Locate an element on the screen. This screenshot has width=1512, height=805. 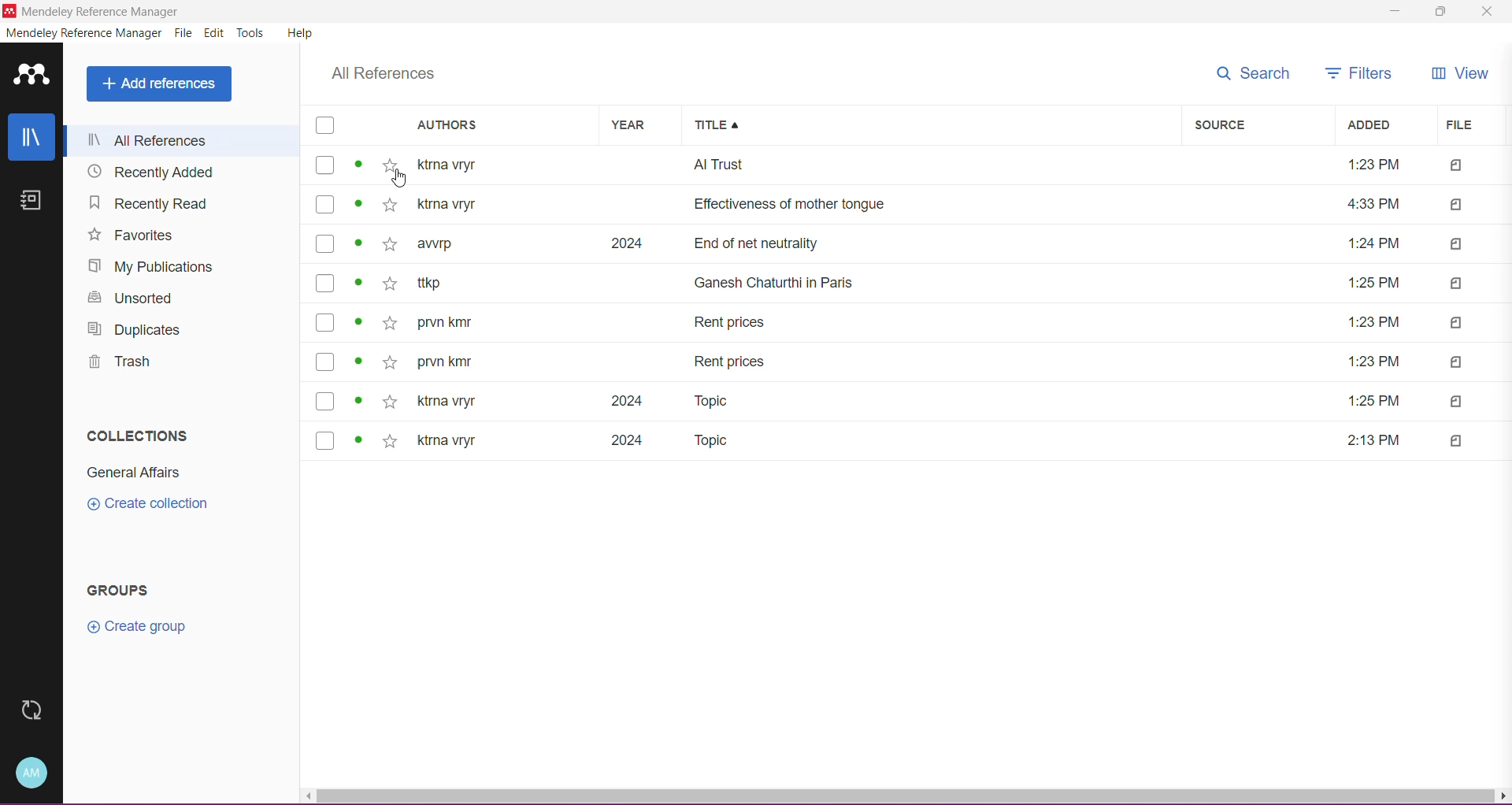
Close is located at coordinates (1492, 12).